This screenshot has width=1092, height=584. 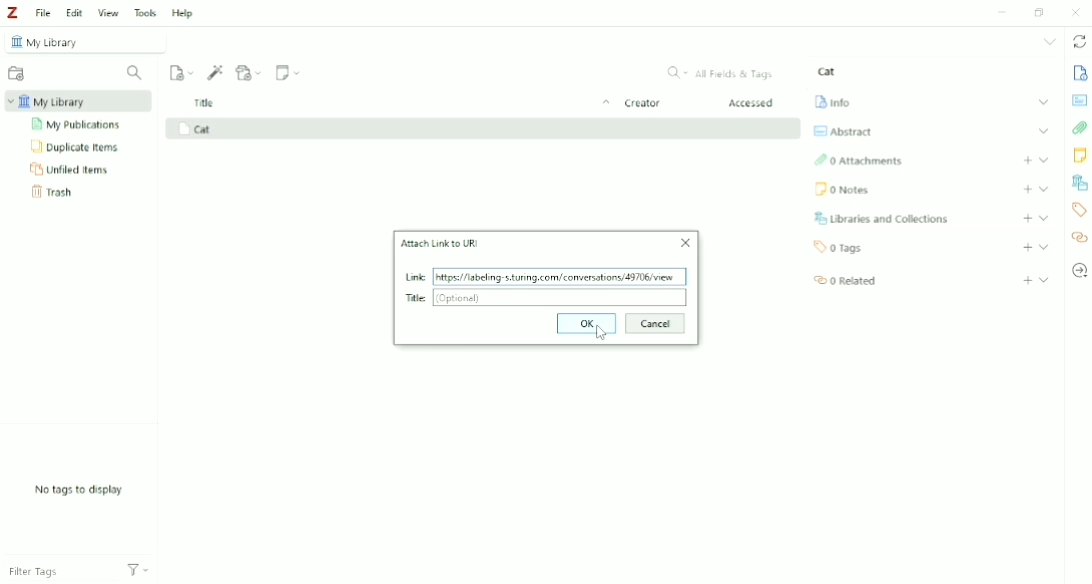 I want to click on Info, so click(x=832, y=100).